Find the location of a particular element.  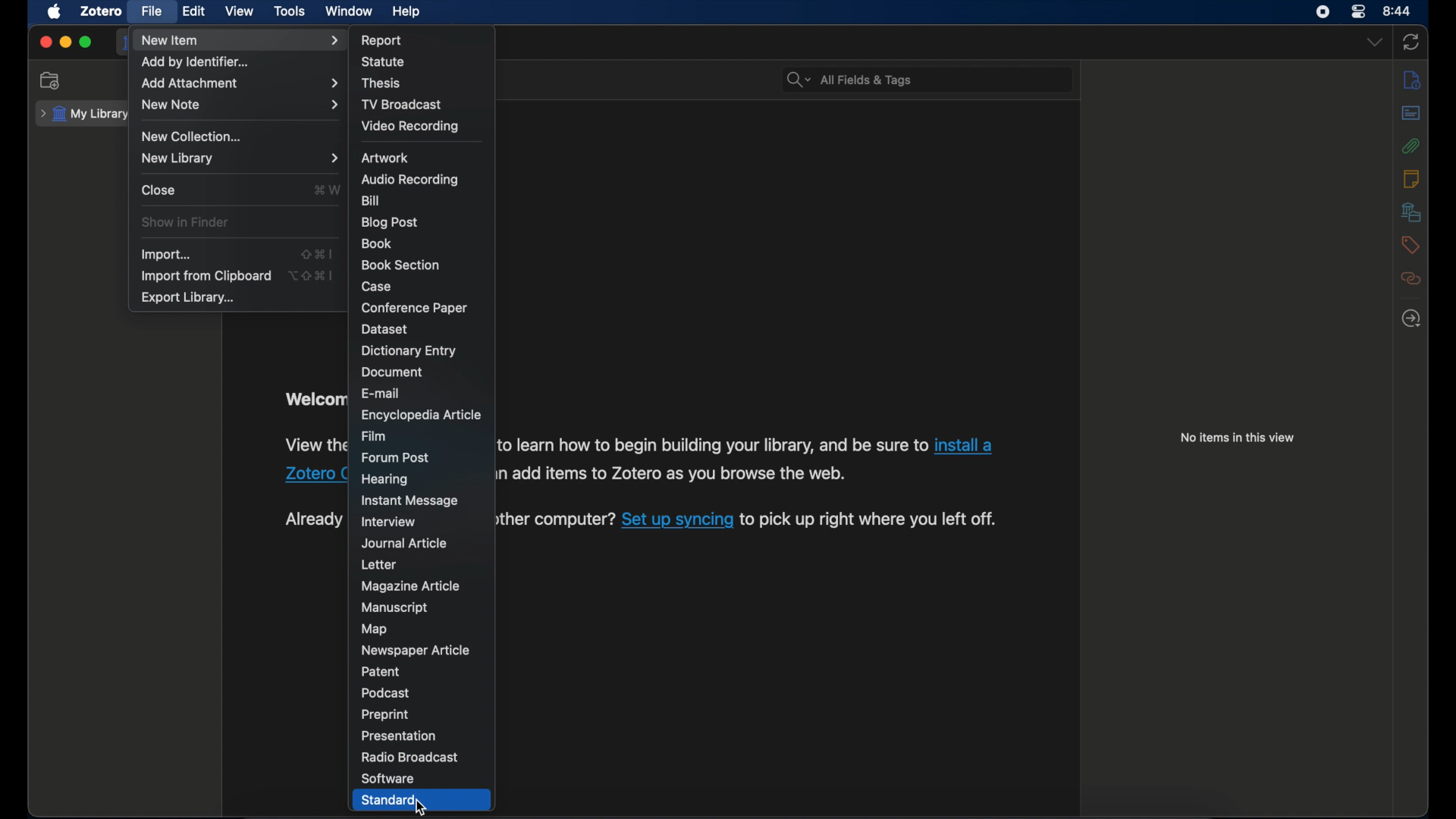

instant message is located at coordinates (408, 501).